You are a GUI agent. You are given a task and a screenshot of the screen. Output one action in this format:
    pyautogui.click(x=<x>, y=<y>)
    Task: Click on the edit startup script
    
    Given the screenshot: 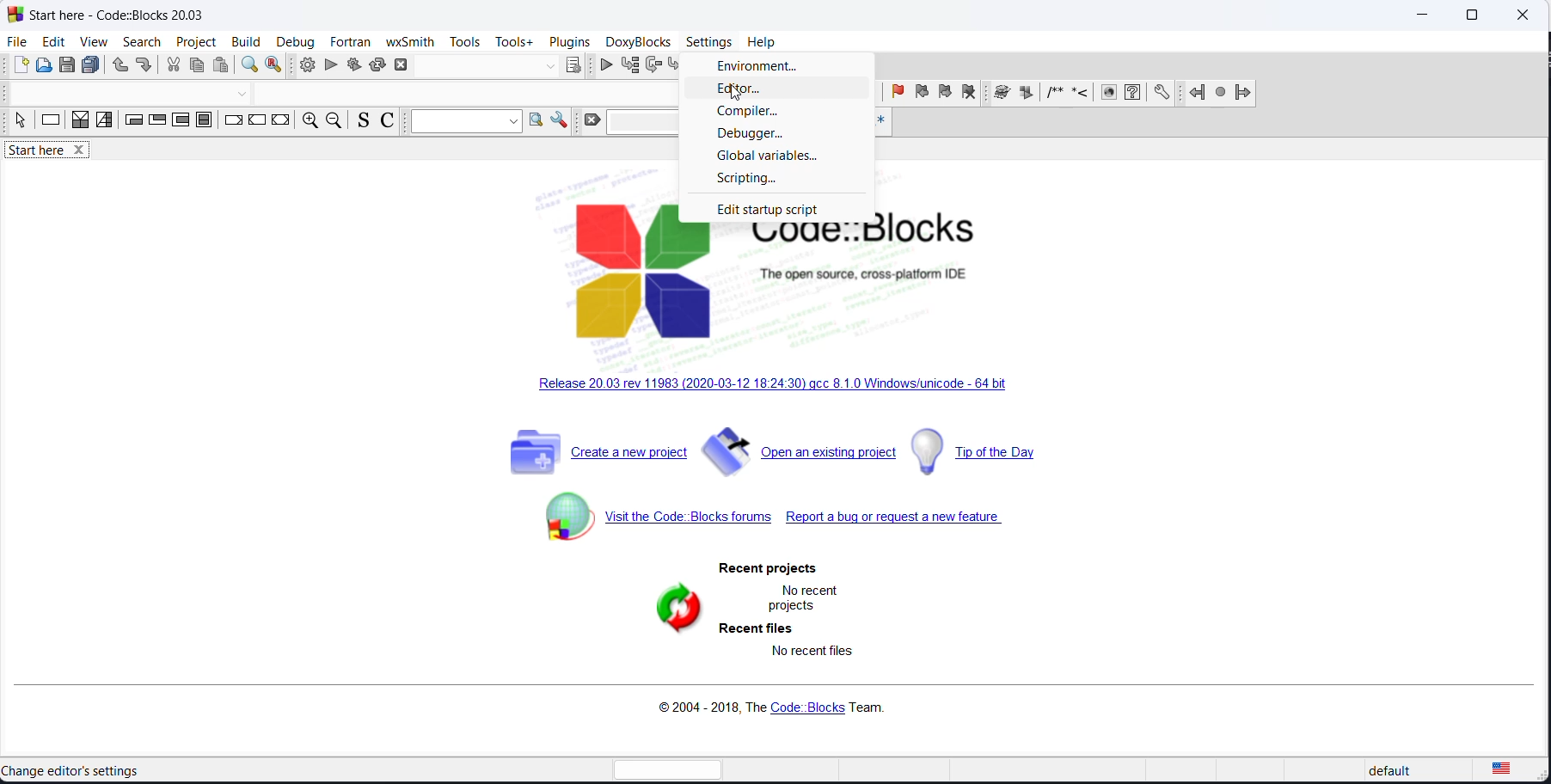 What is the action you would take?
    pyautogui.click(x=775, y=211)
    